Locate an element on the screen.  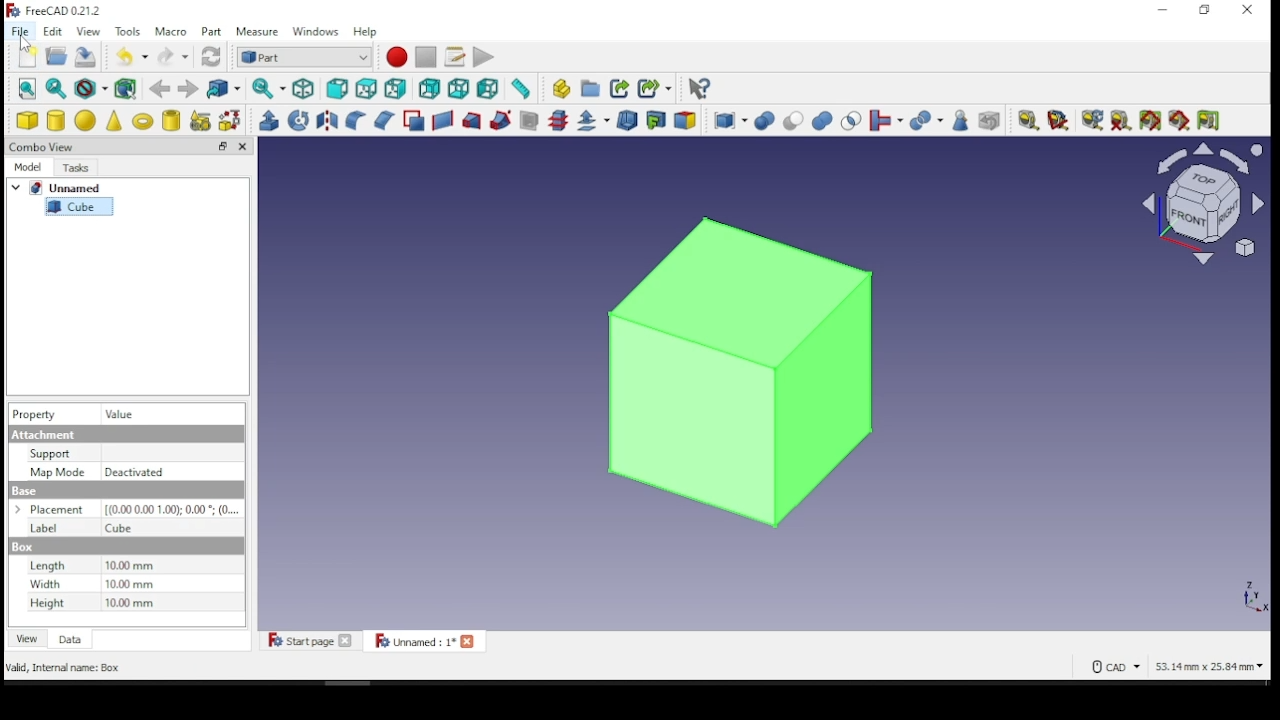
toggle all is located at coordinates (1150, 121).